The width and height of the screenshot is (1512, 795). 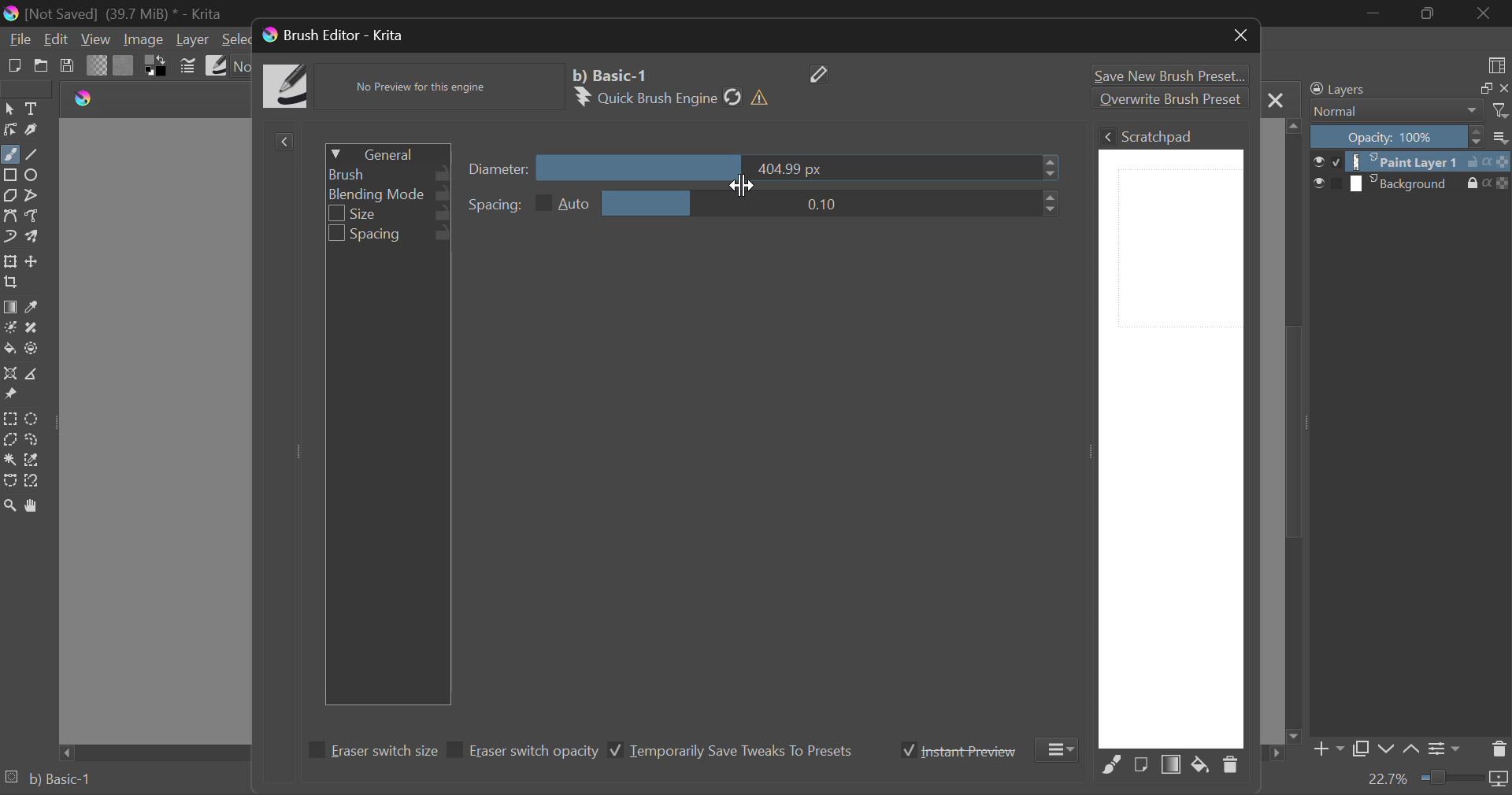 What do you see at coordinates (391, 215) in the screenshot?
I see `Size` at bounding box center [391, 215].